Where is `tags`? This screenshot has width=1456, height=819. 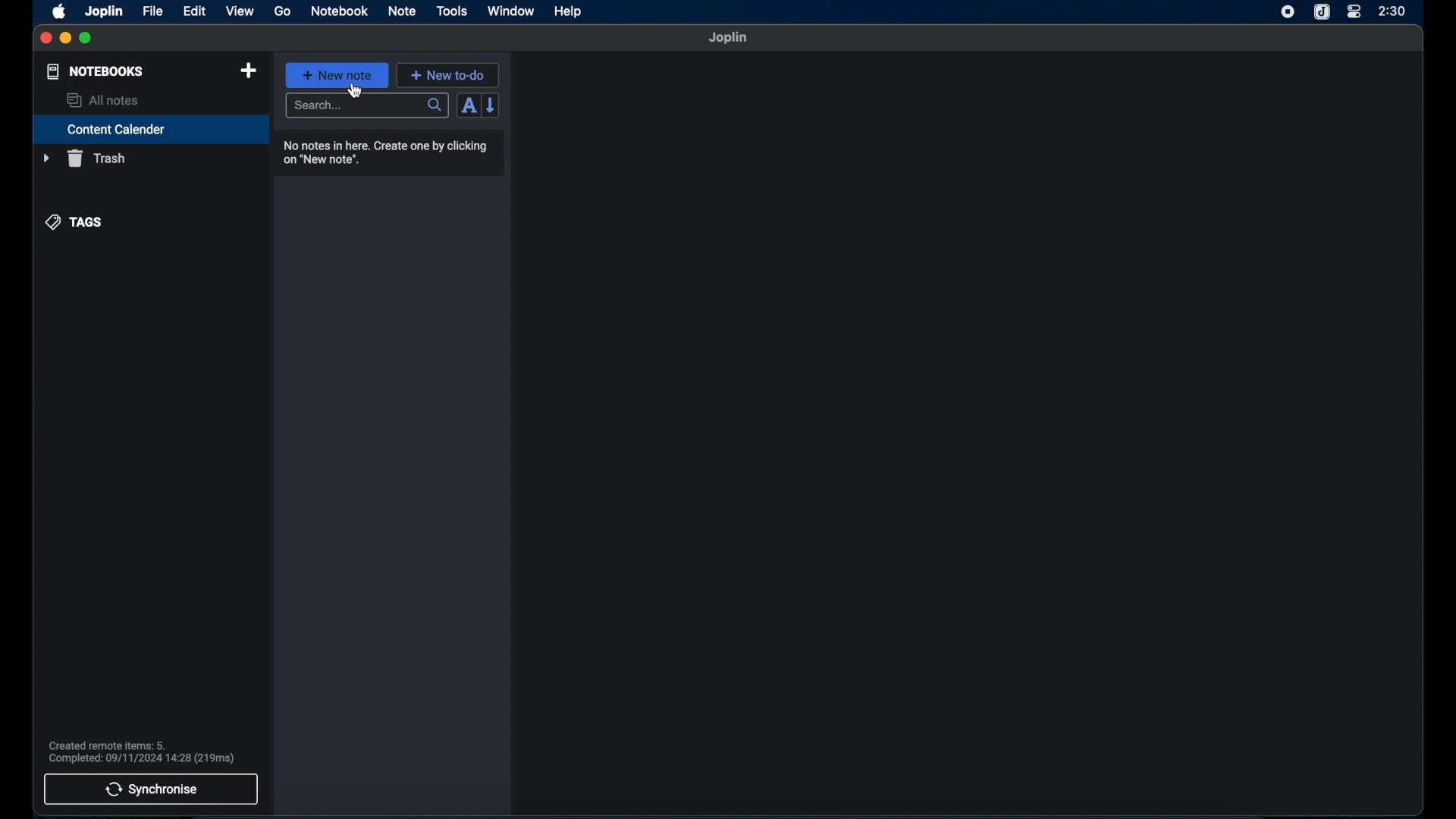 tags is located at coordinates (74, 222).